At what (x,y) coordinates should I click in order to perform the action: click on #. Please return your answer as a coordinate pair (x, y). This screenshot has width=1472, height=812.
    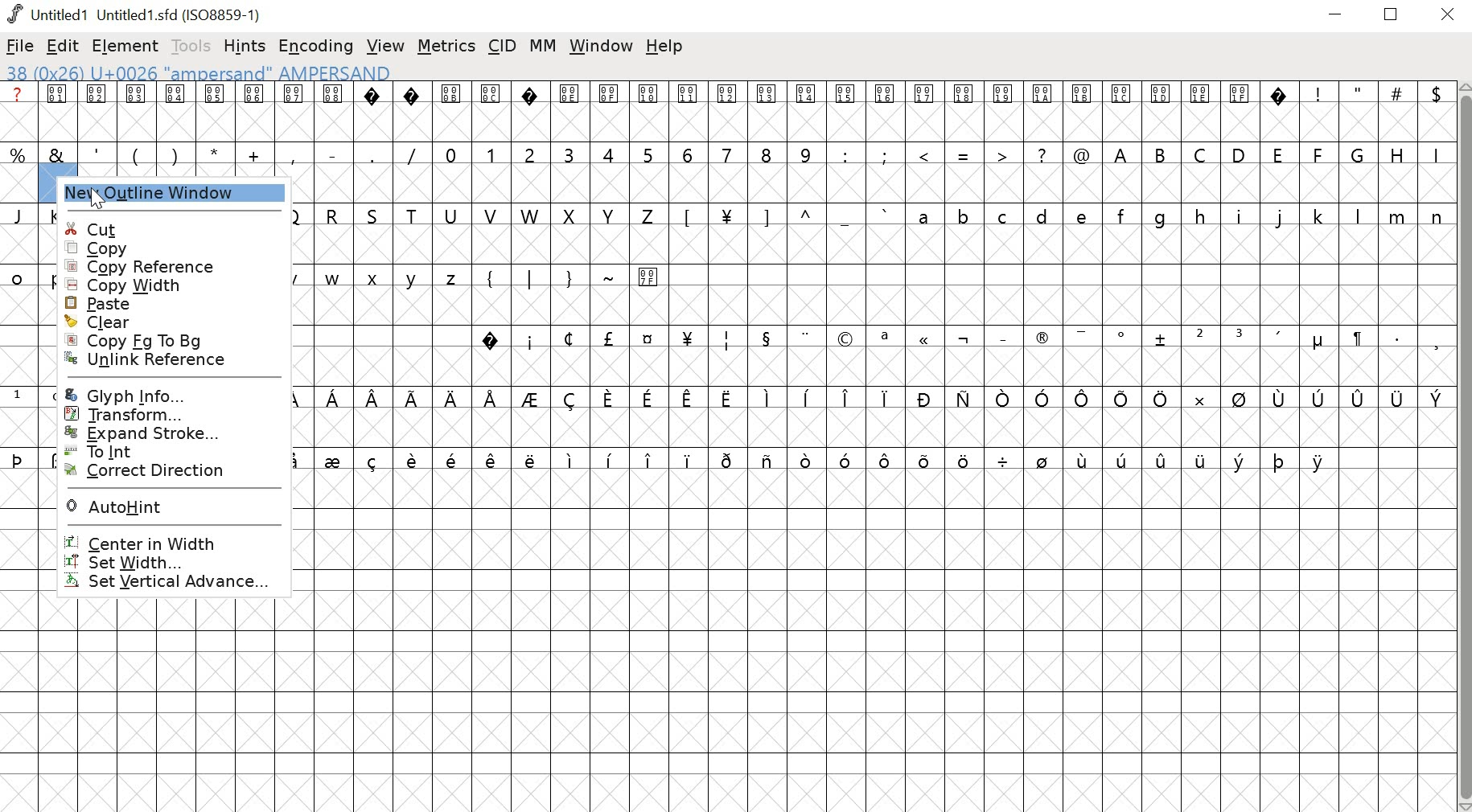
    Looking at the image, I should click on (1397, 113).